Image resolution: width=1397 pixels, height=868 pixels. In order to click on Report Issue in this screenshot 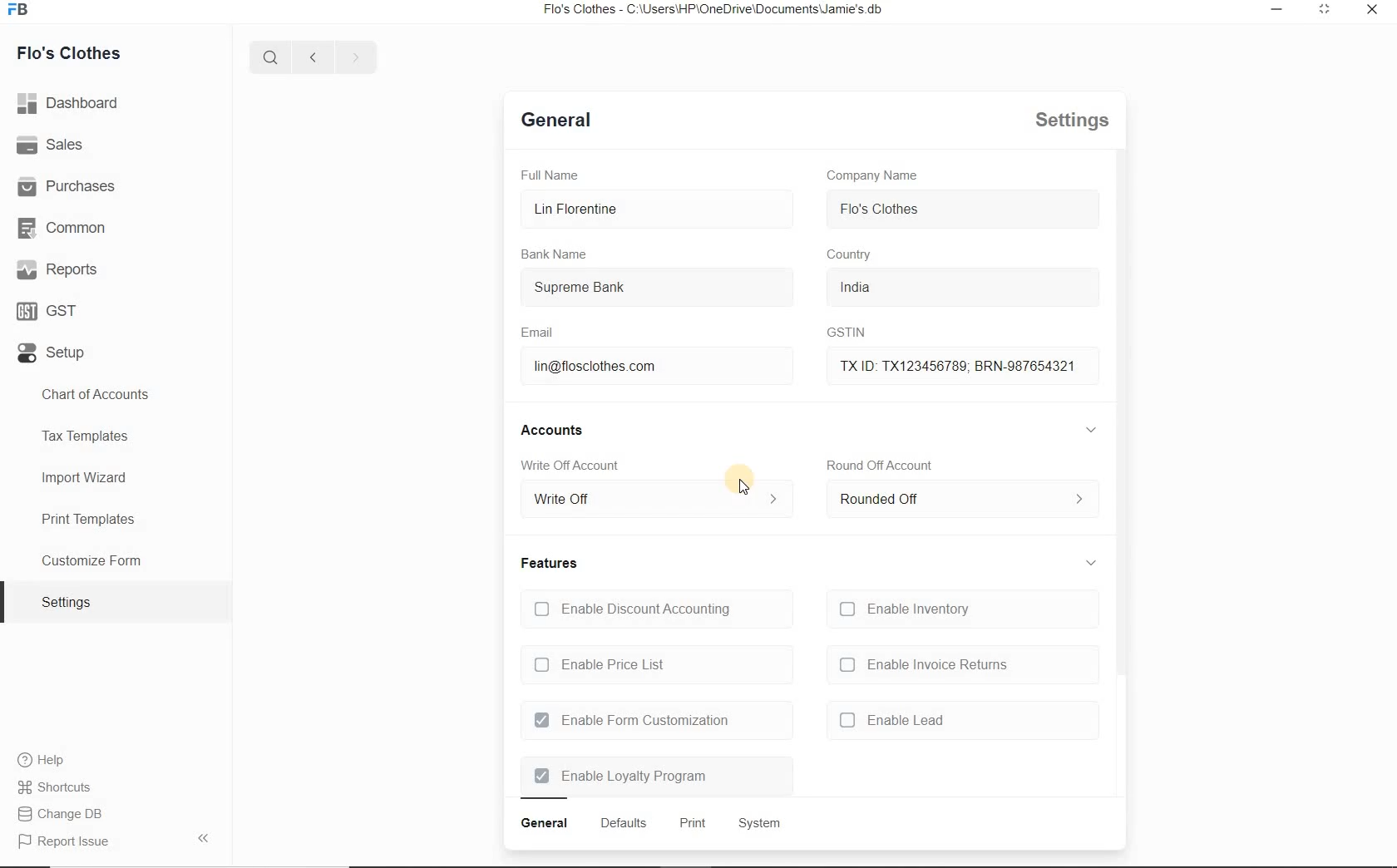, I will do `click(68, 816)`.